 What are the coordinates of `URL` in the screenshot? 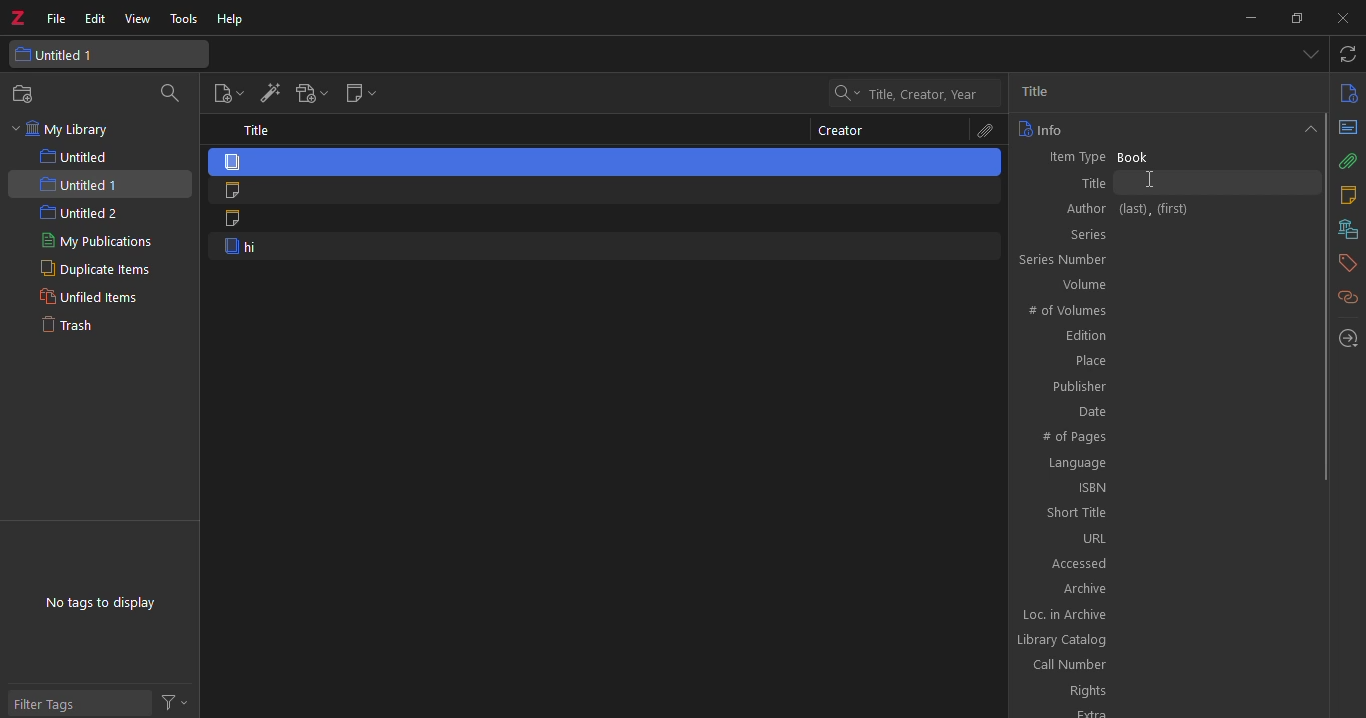 It's located at (1160, 537).